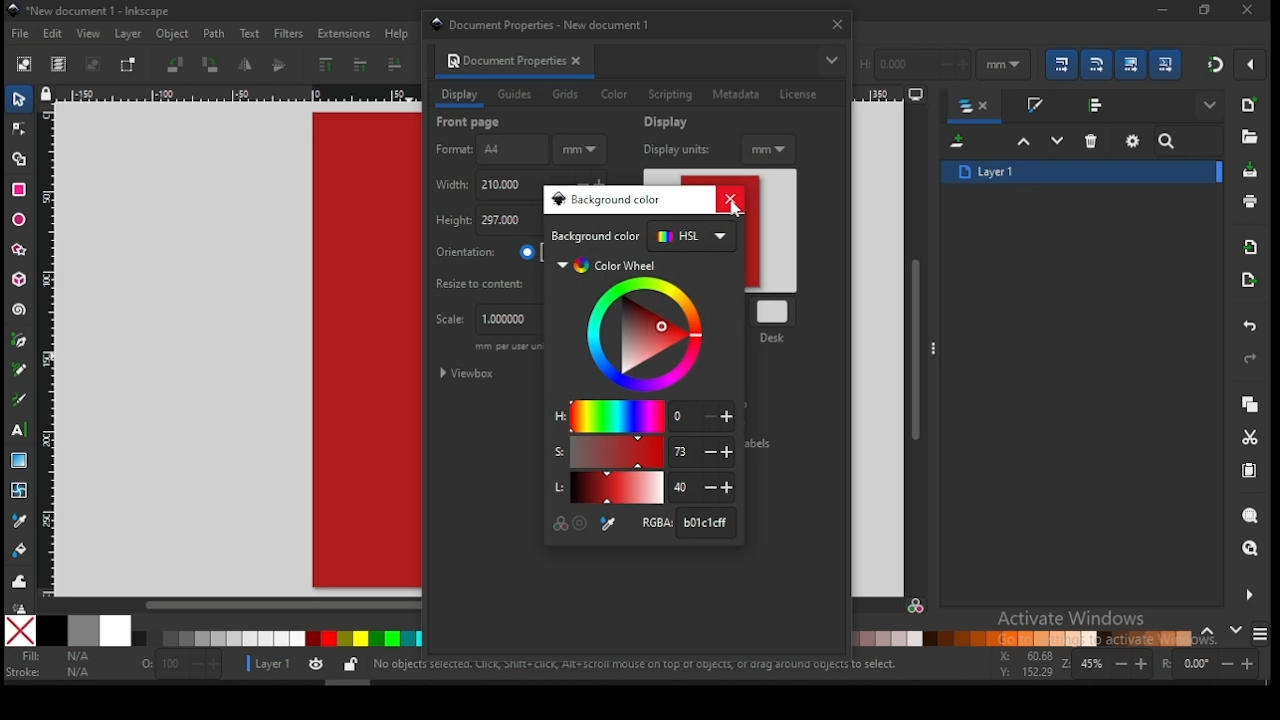 This screenshot has width=1280, height=720. What do you see at coordinates (1248, 10) in the screenshot?
I see `restore` at bounding box center [1248, 10].